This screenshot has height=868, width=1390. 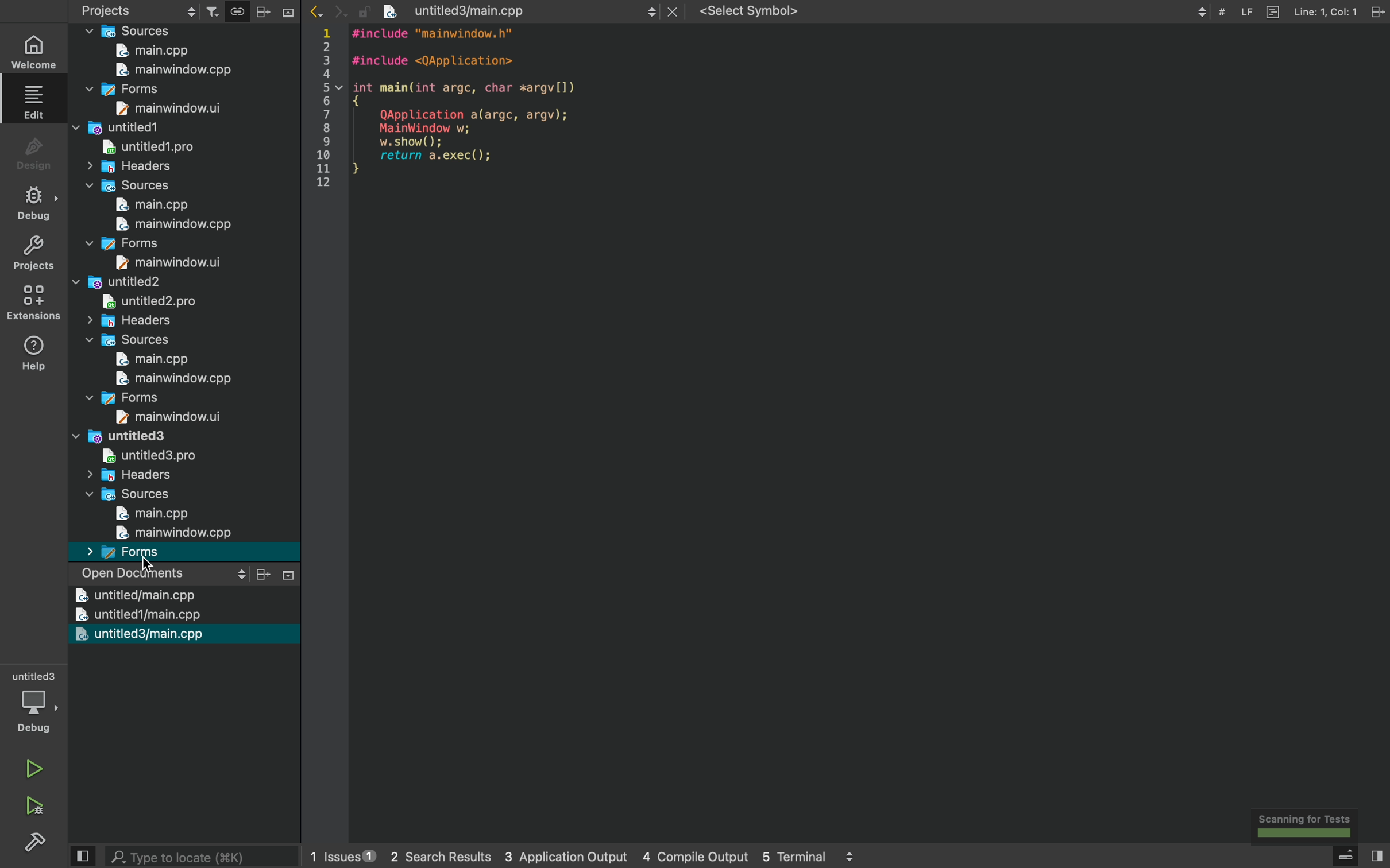 What do you see at coordinates (168, 108) in the screenshot?
I see `mainwindow` at bounding box center [168, 108].